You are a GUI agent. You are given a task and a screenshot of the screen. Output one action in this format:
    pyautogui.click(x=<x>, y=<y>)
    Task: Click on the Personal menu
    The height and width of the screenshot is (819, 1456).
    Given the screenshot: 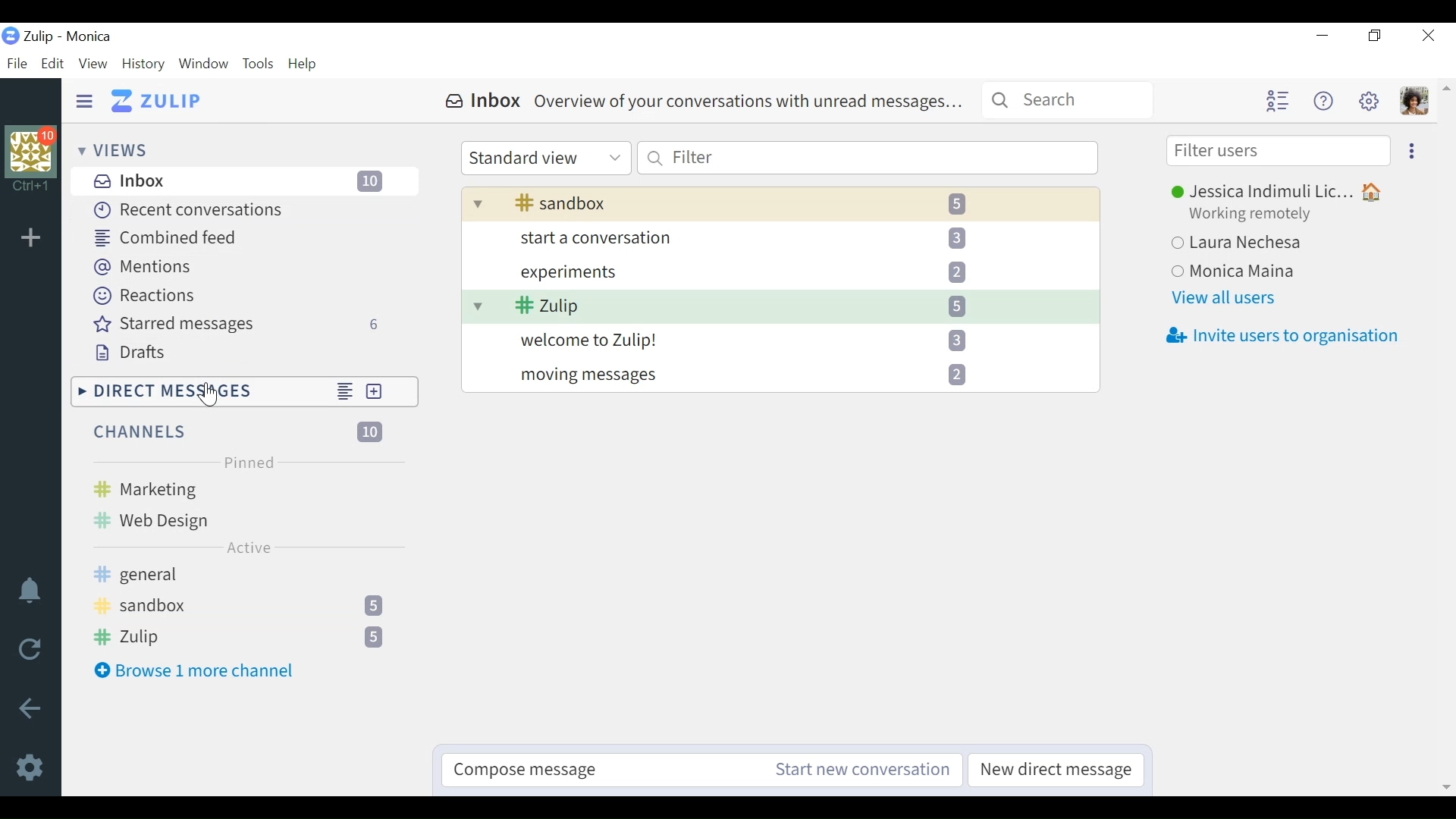 What is the action you would take?
    pyautogui.click(x=1413, y=101)
    